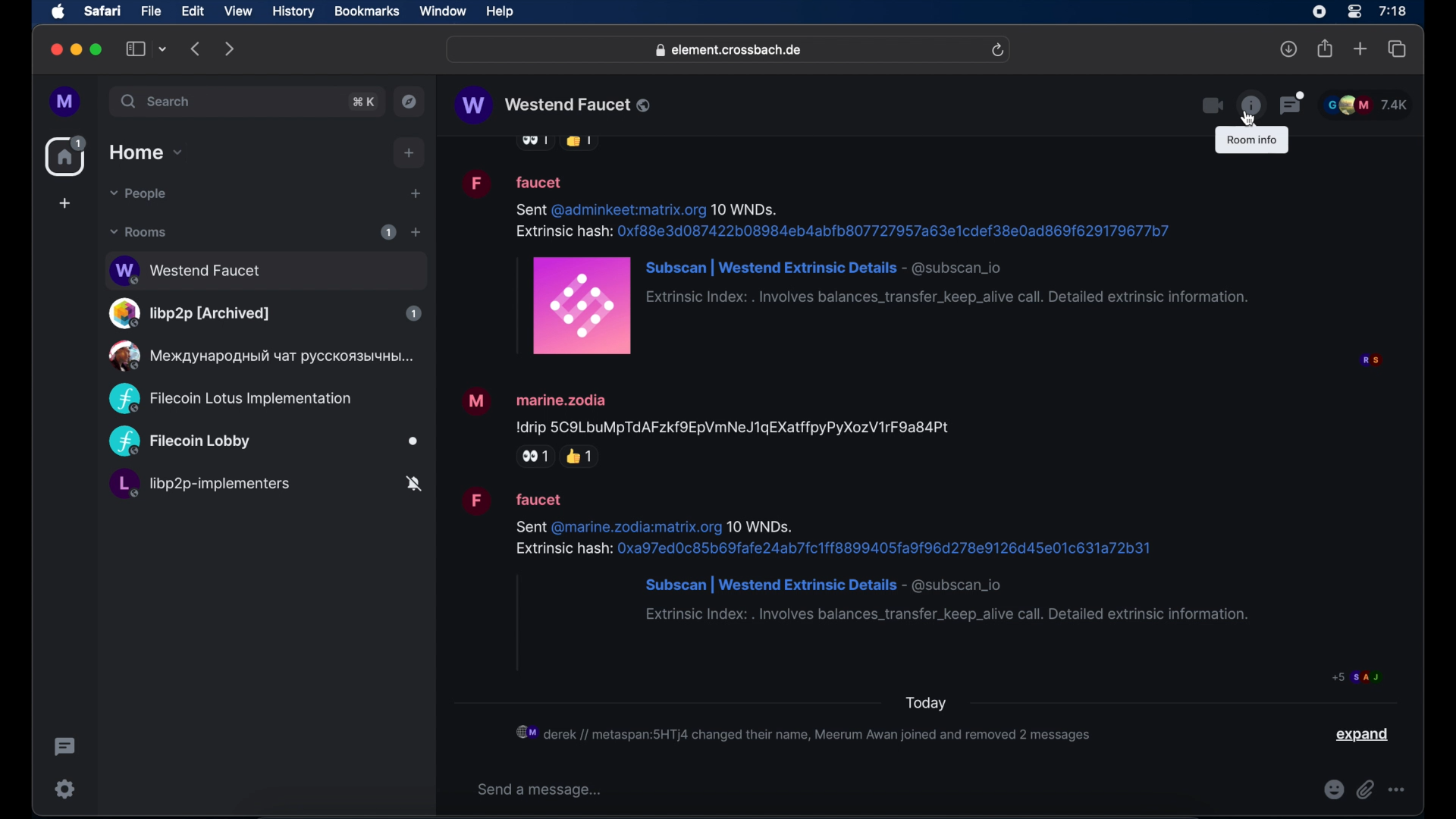 The image size is (1456, 819). What do you see at coordinates (416, 232) in the screenshot?
I see `add room` at bounding box center [416, 232].